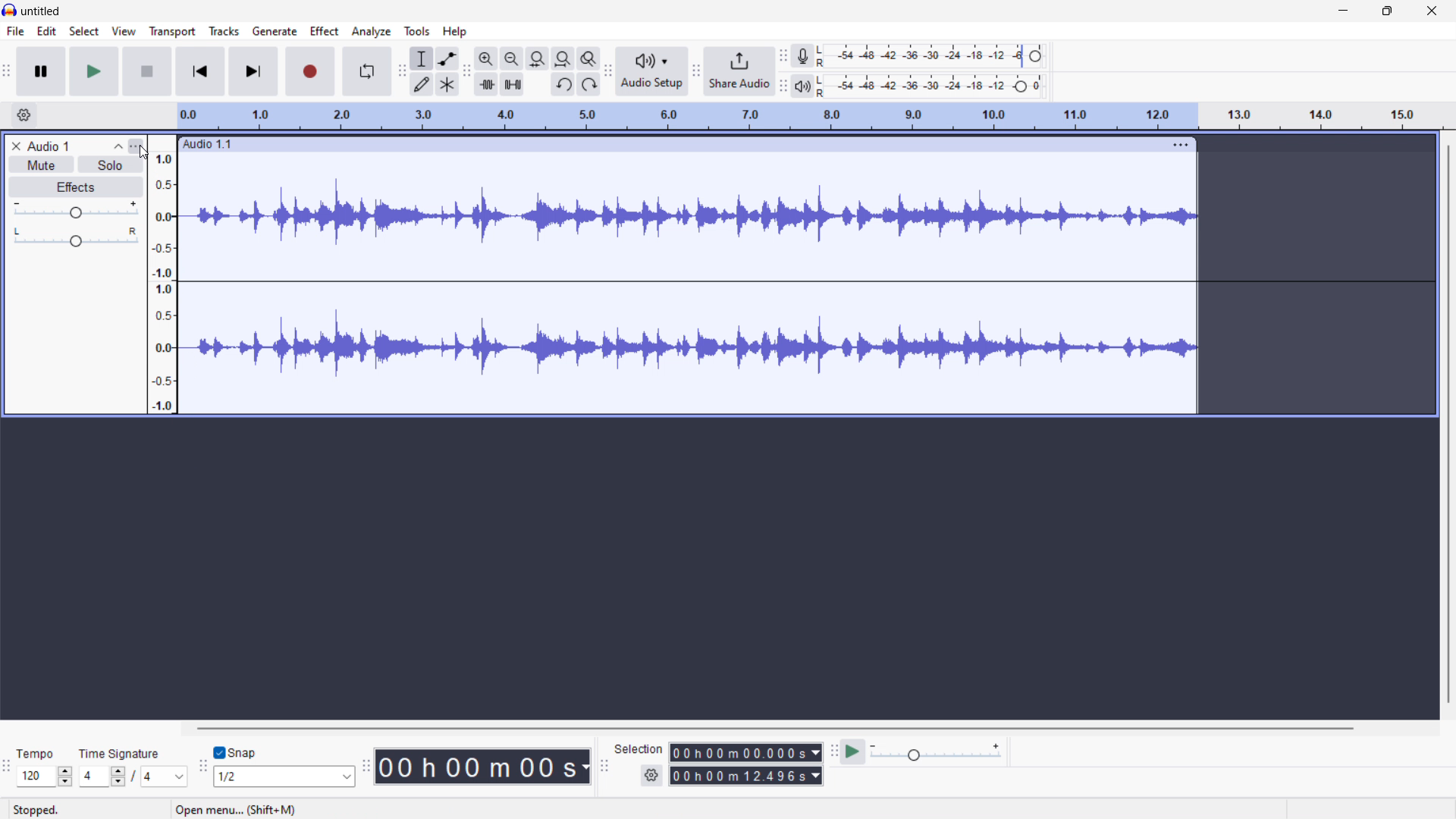 The width and height of the screenshot is (1456, 819). Describe the element at coordinates (454, 32) in the screenshot. I see `help` at that location.